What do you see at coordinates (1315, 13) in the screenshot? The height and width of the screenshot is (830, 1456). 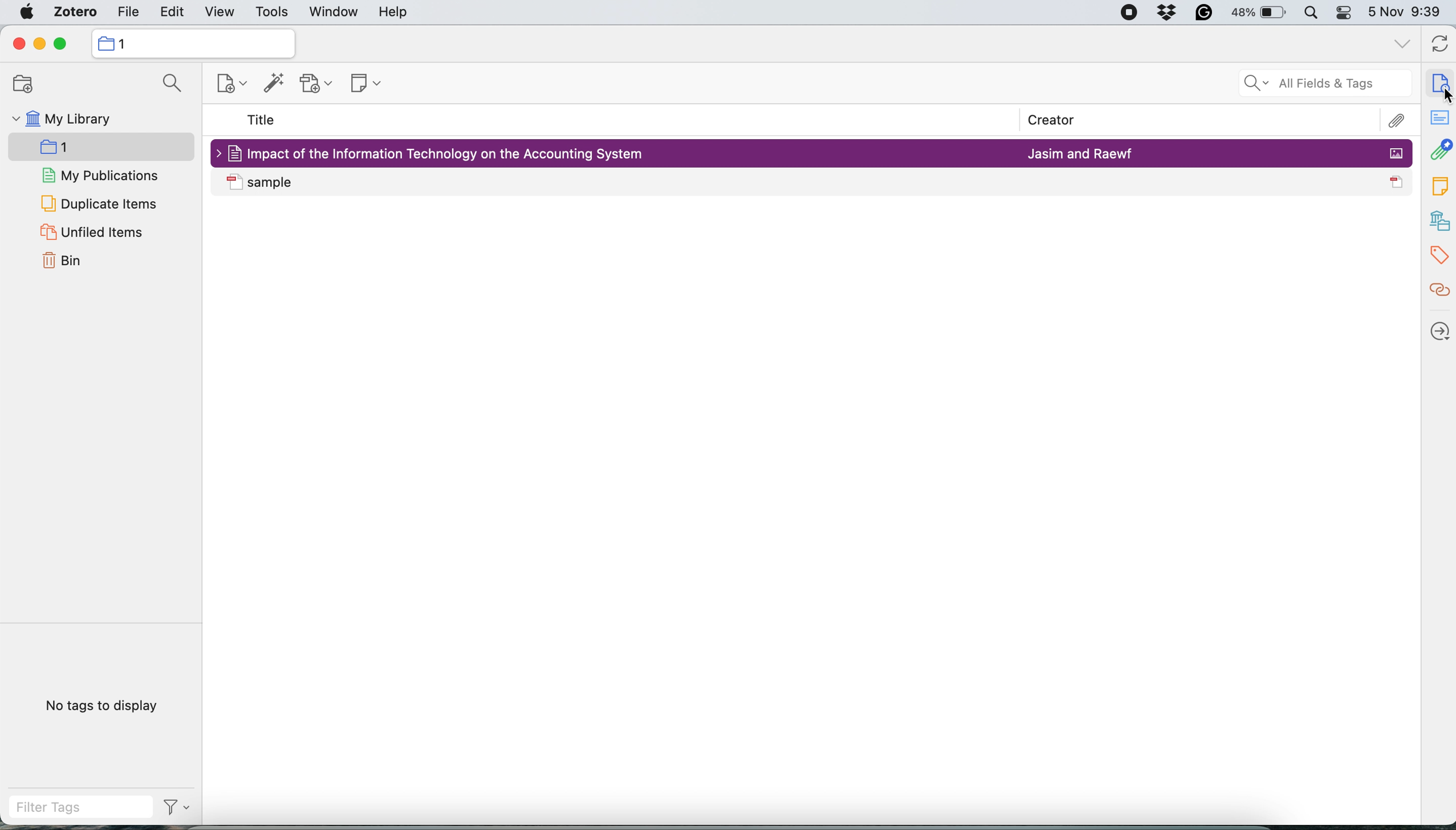 I see `spotlight search` at bounding box center [1315, 13].